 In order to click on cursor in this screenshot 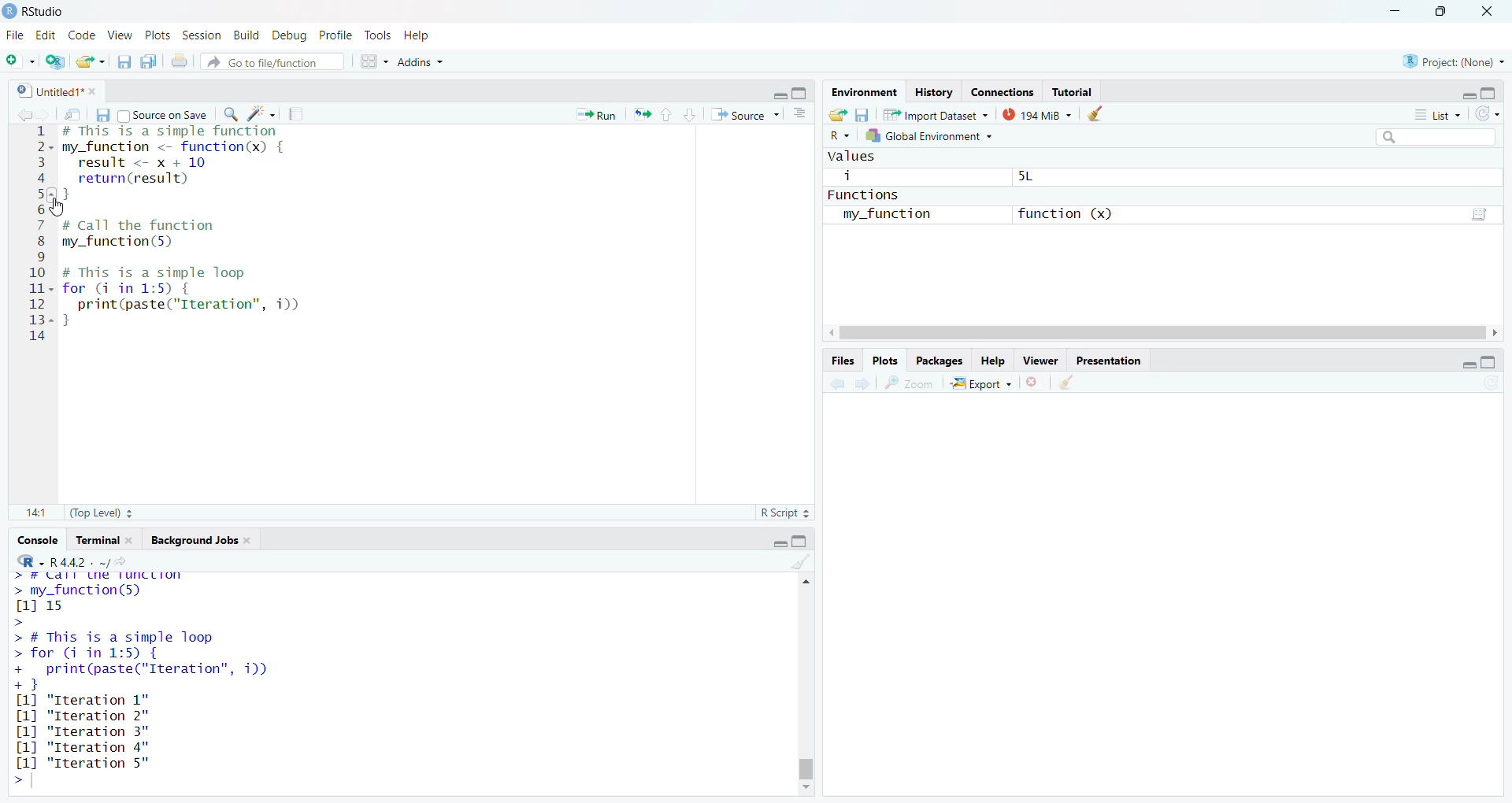, I will do `click(60, 206)`.